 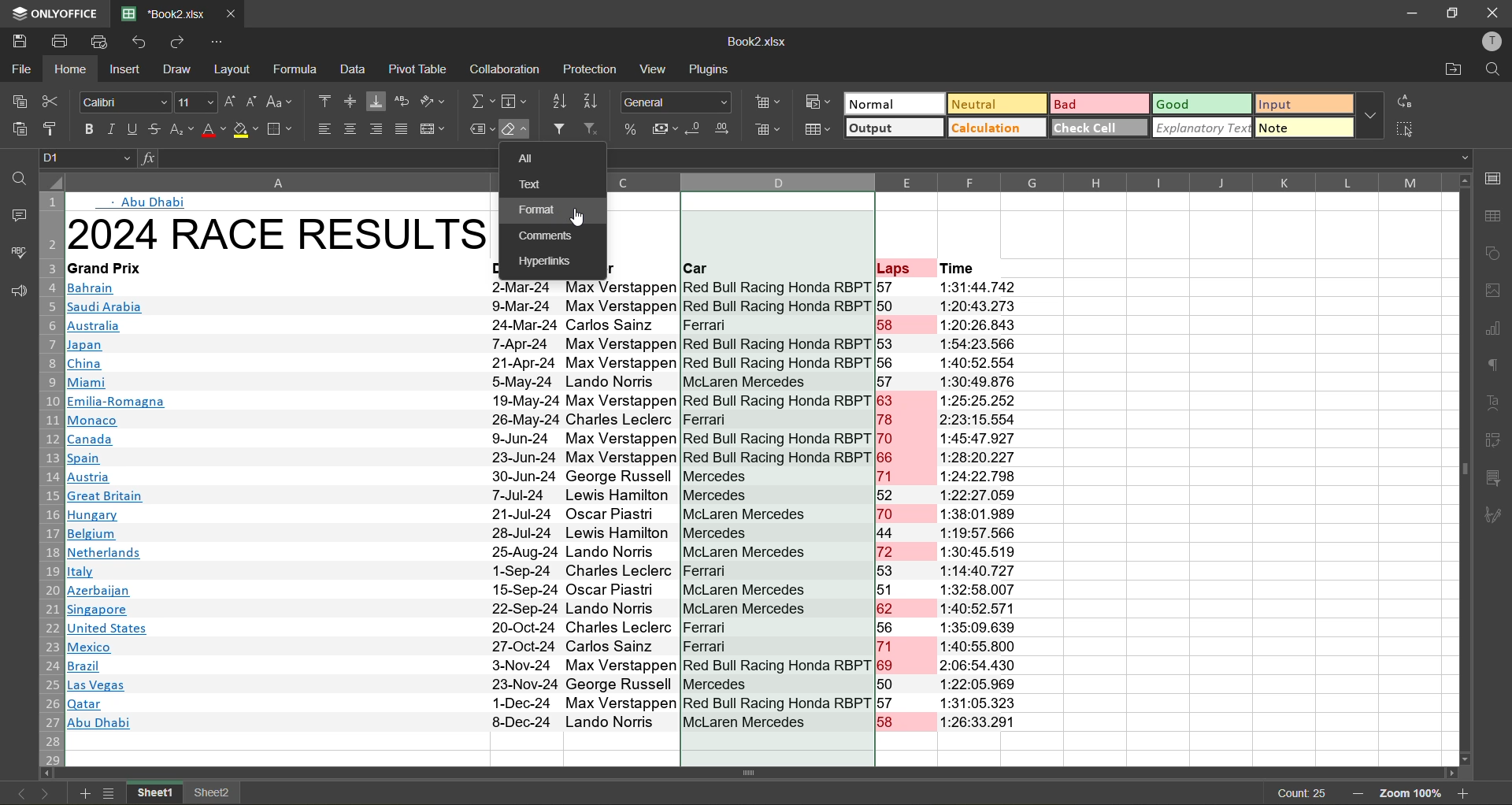 What do you see at coordinates (436, 130) in the screenshot?
I see `merge and center` at bounding box center [436, 130].